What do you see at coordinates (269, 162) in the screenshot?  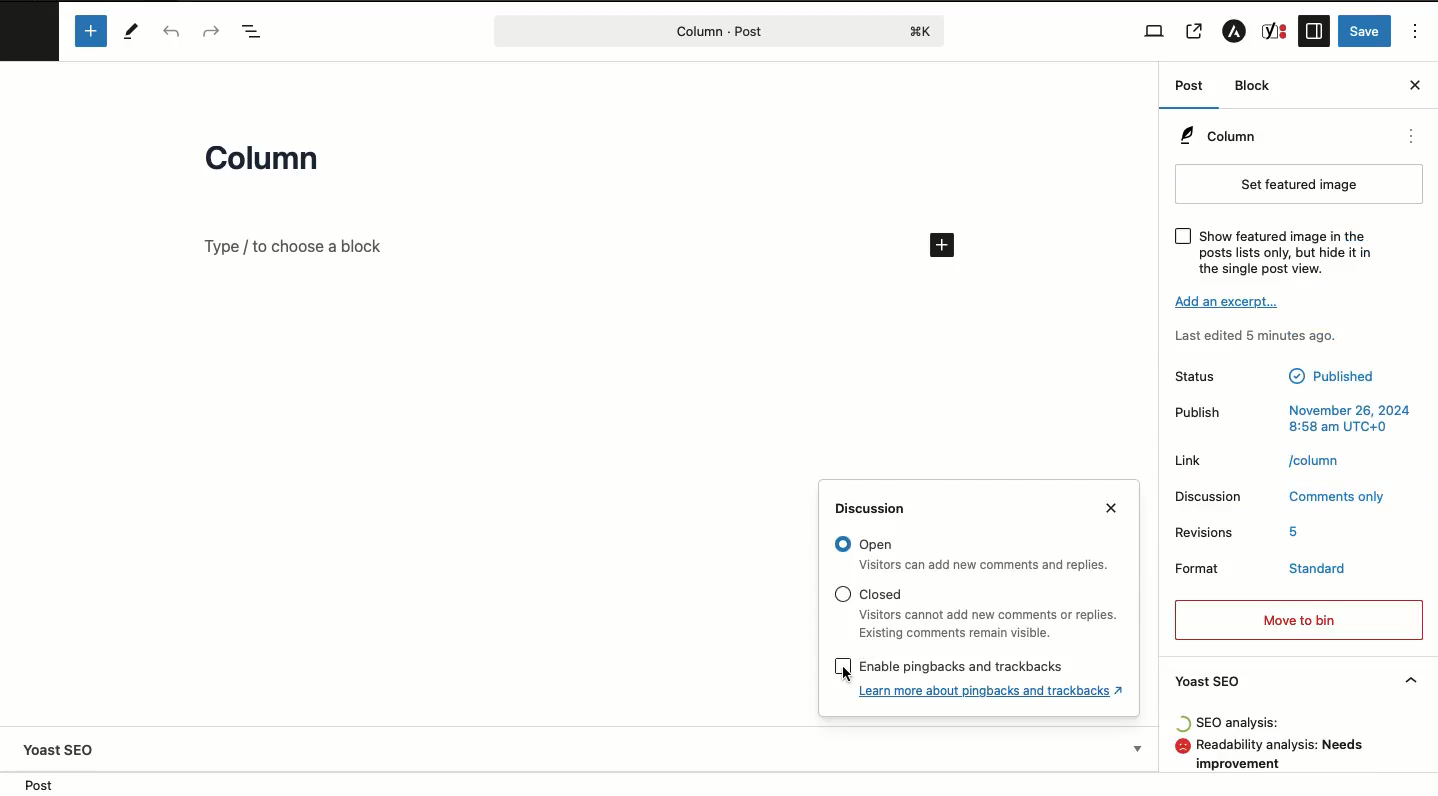 I see `Title` at bounding box center [269, 162].